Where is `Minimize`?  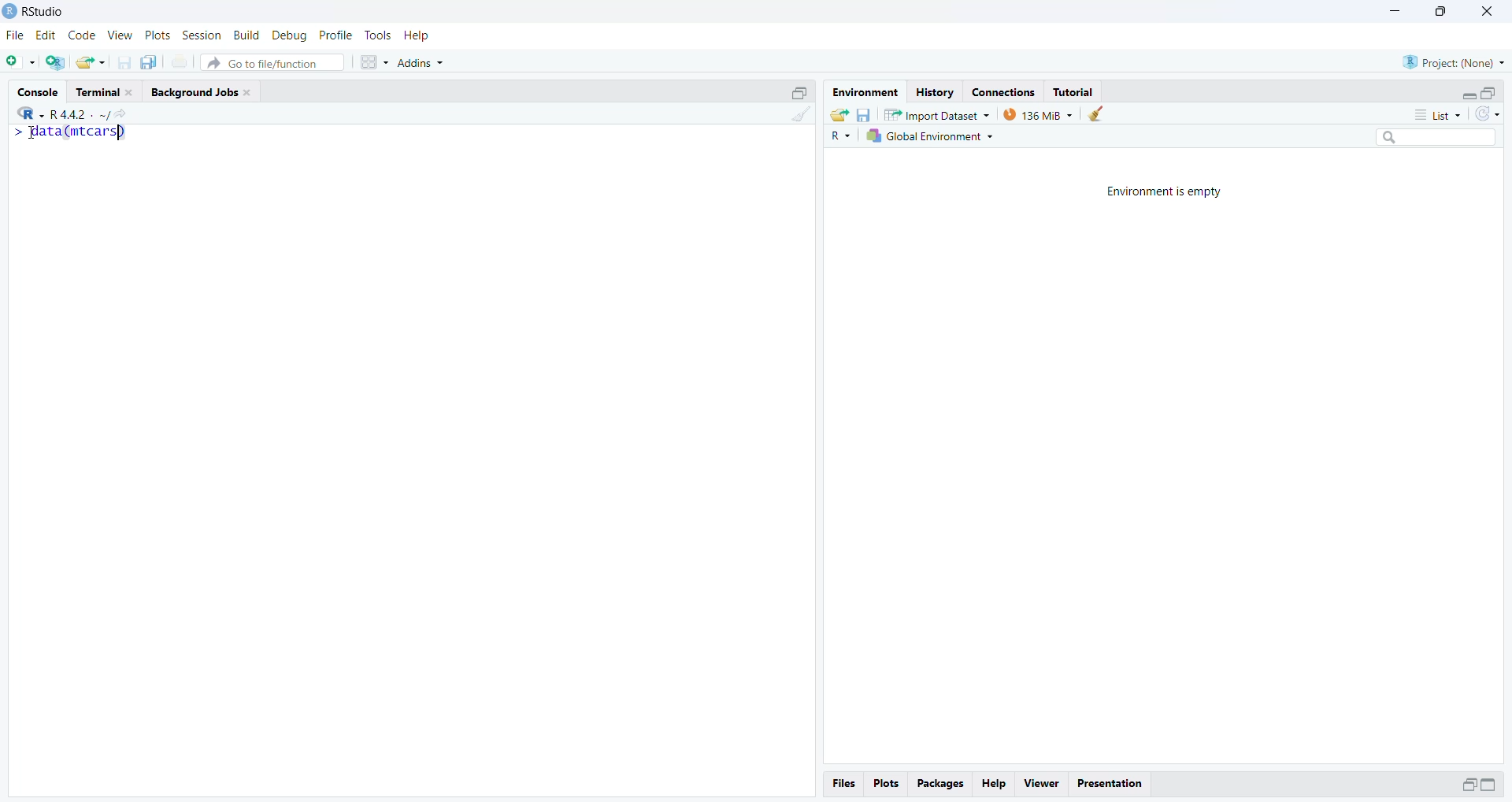
Minimize is located at coordinates (1465, 93).